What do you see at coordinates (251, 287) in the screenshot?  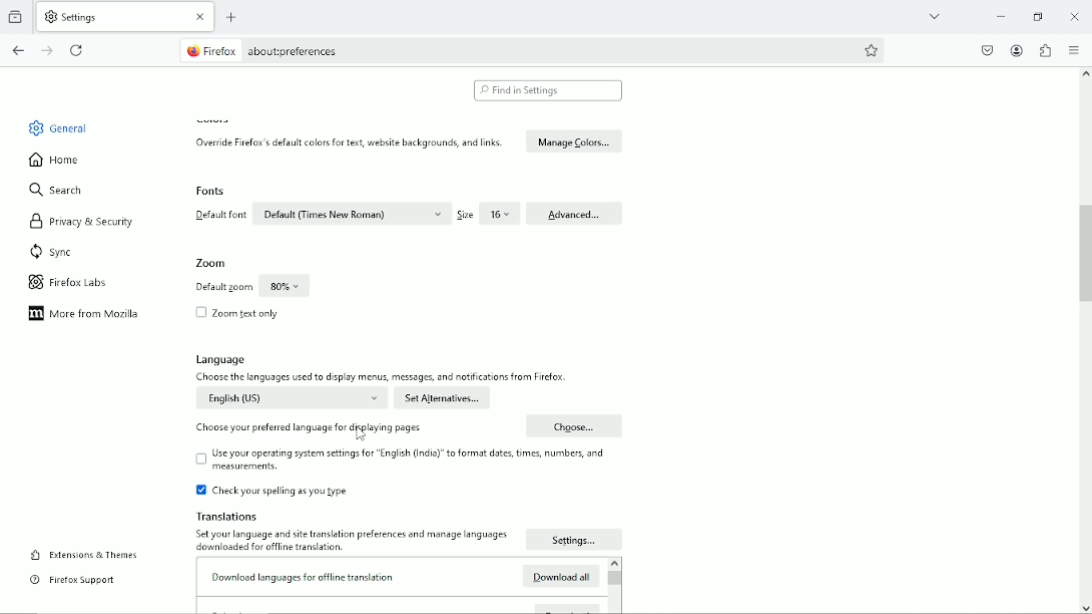 I see `Default zoom: 80%` at bounding box center [251, 287].